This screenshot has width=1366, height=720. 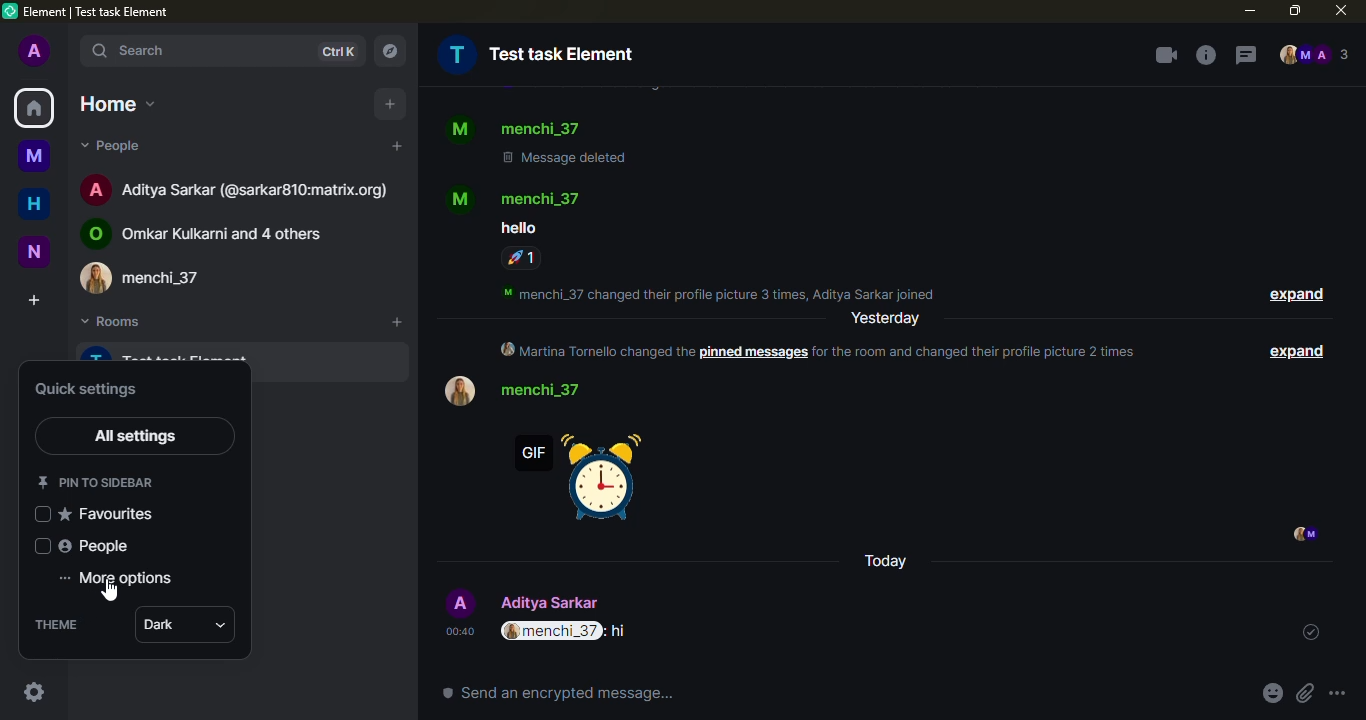 What do you see at coordinates (395, 146) in the screenshot?
I see `add` at bounding box center [395, 146].